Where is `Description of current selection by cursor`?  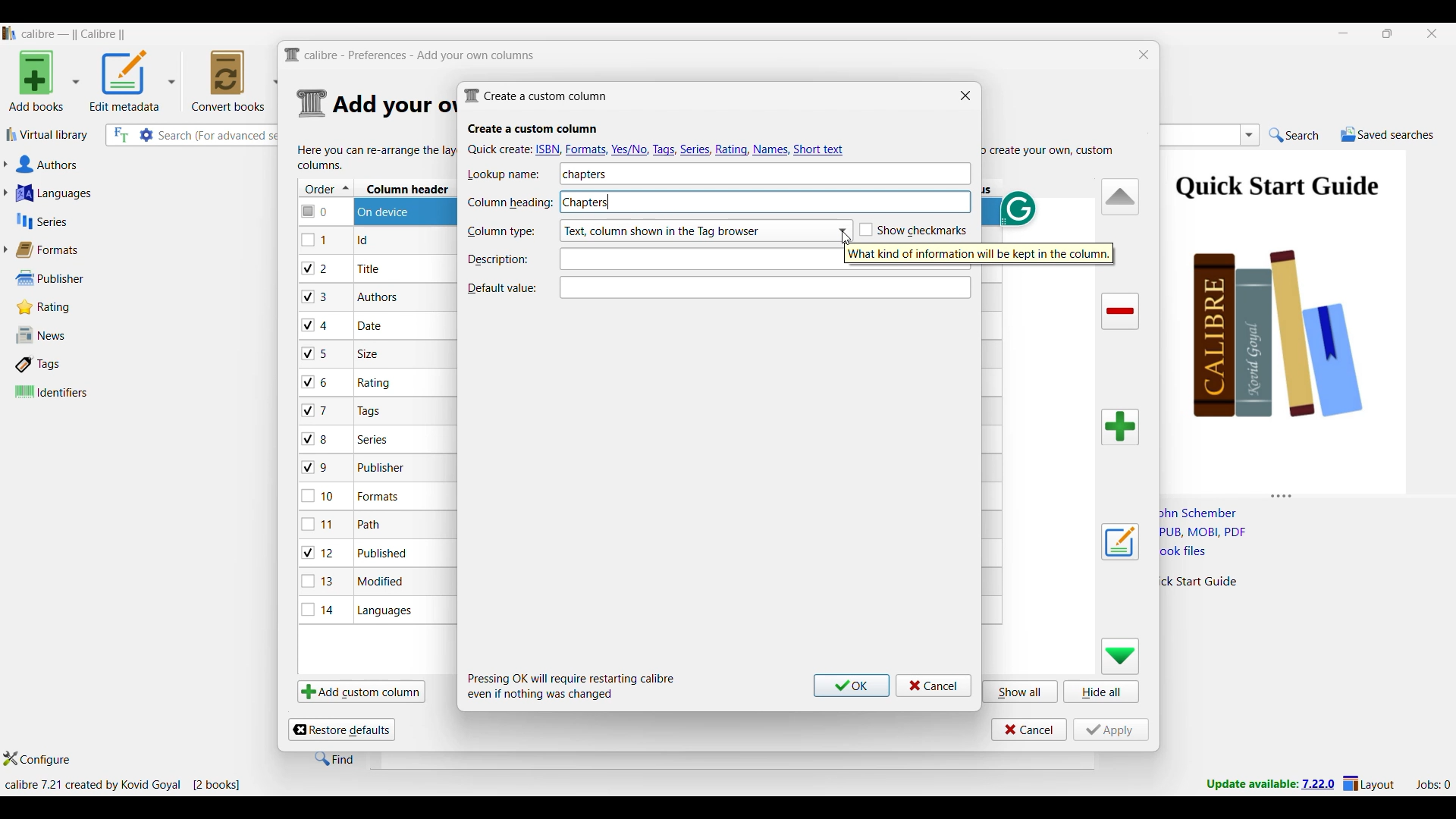
Description of current selection by cursor is located at coordinates (979, 253).